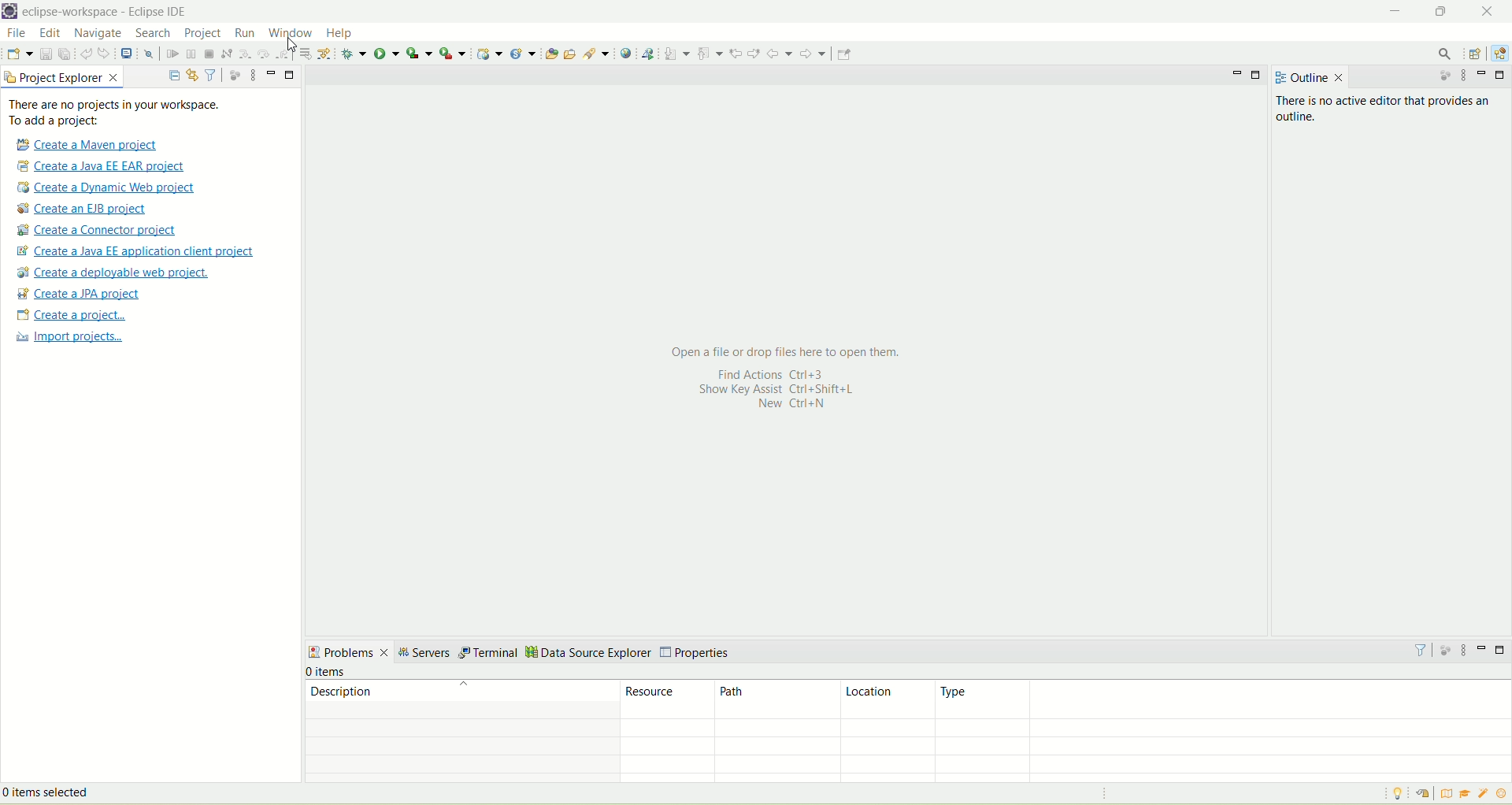  Describe the element at coordinates (264, 54) in the screenshot. I see `step over` at that location.